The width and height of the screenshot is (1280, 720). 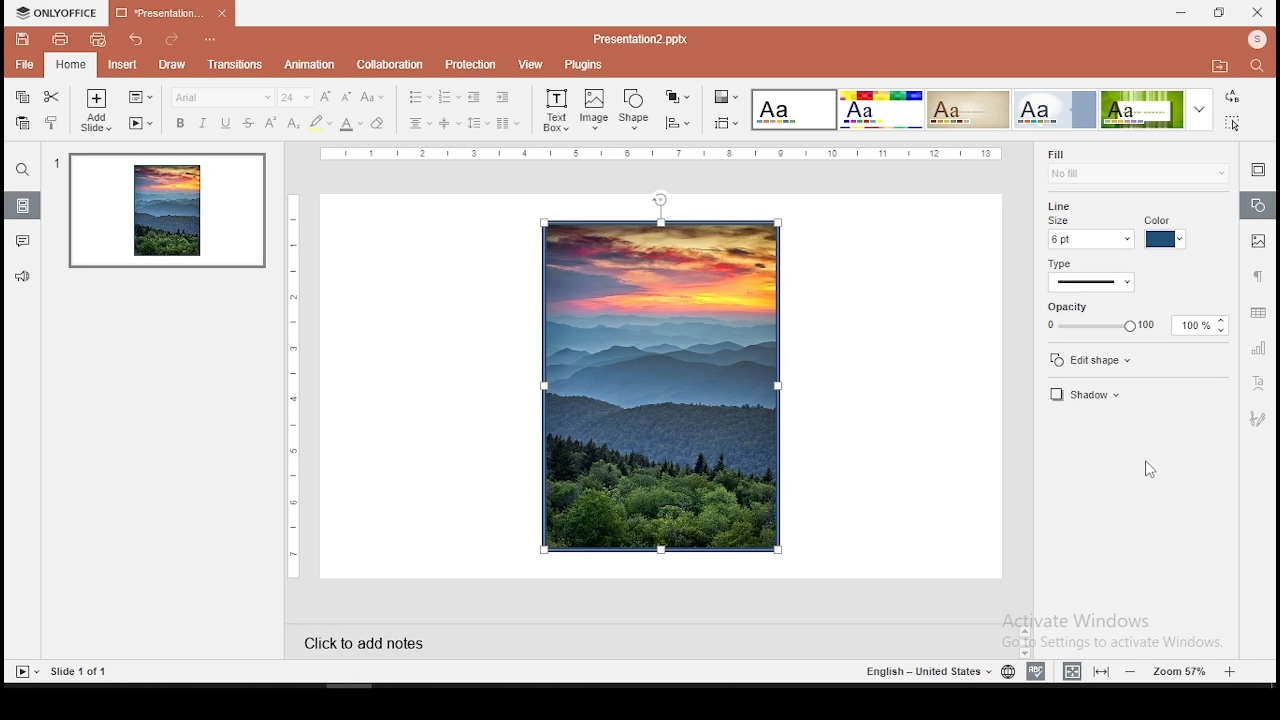 What do you see at coordinates (23, 63) in the screenshot?
I see `file` at bounding box center [23, 63].